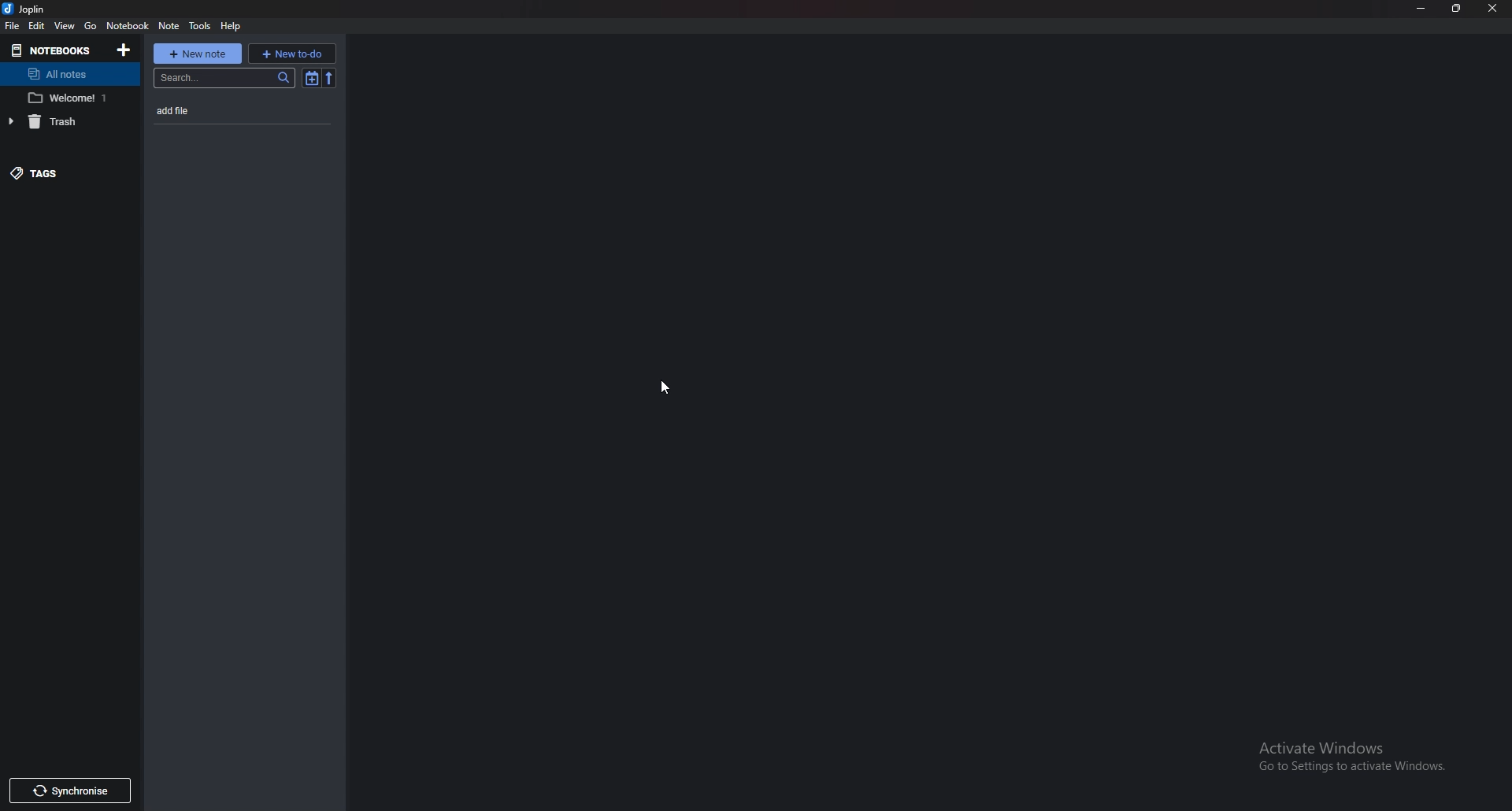 The image size is (1512, 811). Describe the element at coordinates (224, 77) in the screenshot. I see `Search` at that location.